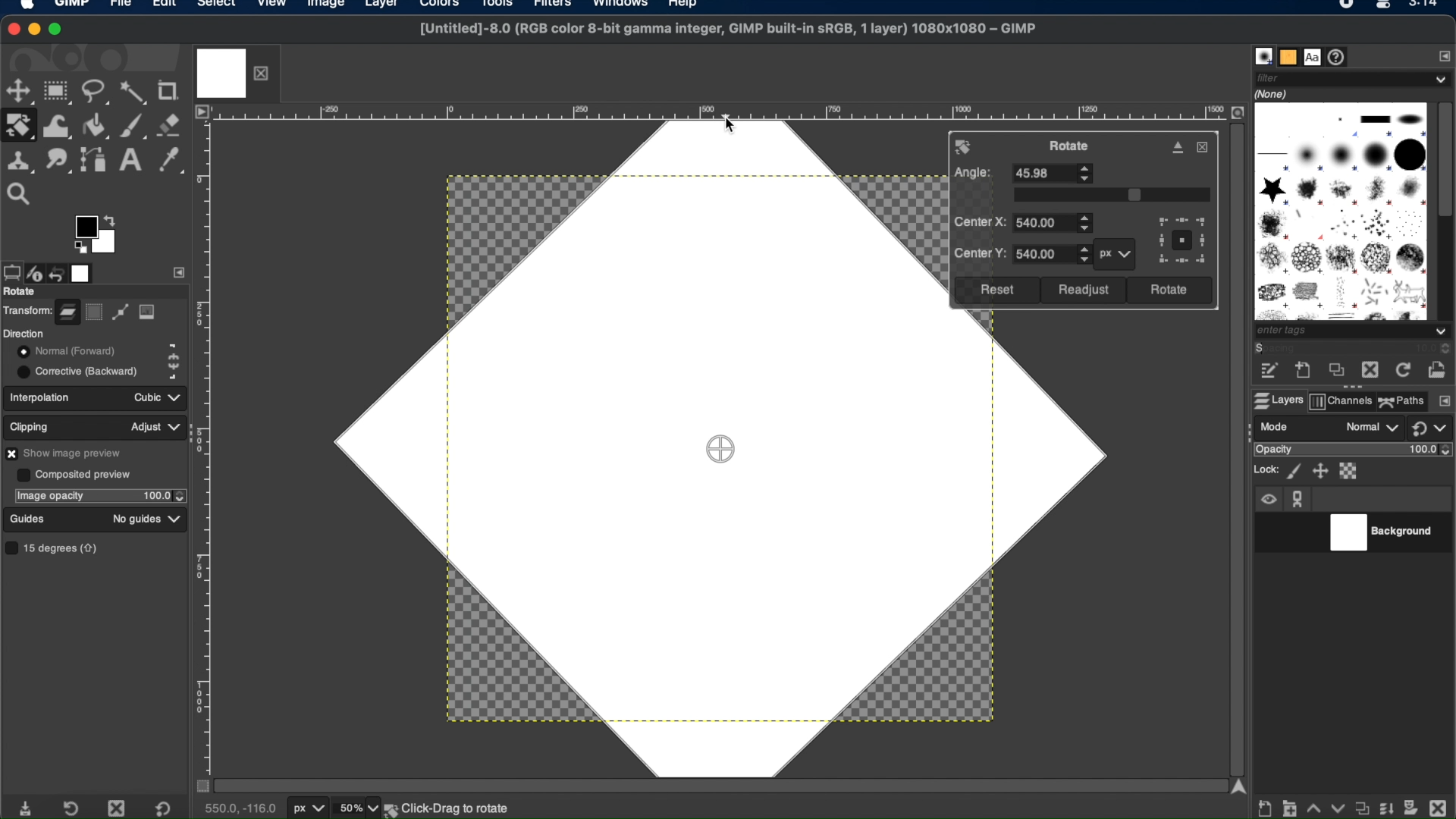  What do you see at coordinates (1345, 6) in the screenshot?
I see `recorder icon` at bounding box center [1345, 6].